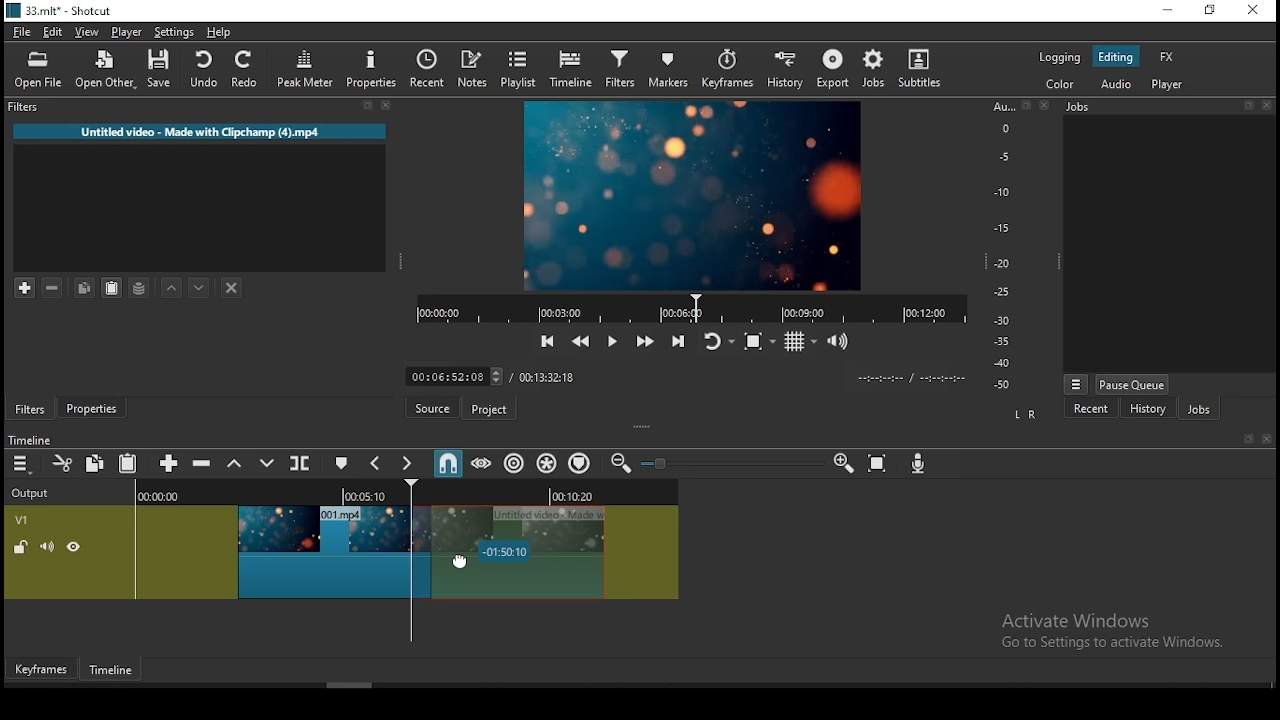  What do you see at coordinates (483, 464) in the screenshot?
I see `scrub while dragging` at bounding box center [483, 464].